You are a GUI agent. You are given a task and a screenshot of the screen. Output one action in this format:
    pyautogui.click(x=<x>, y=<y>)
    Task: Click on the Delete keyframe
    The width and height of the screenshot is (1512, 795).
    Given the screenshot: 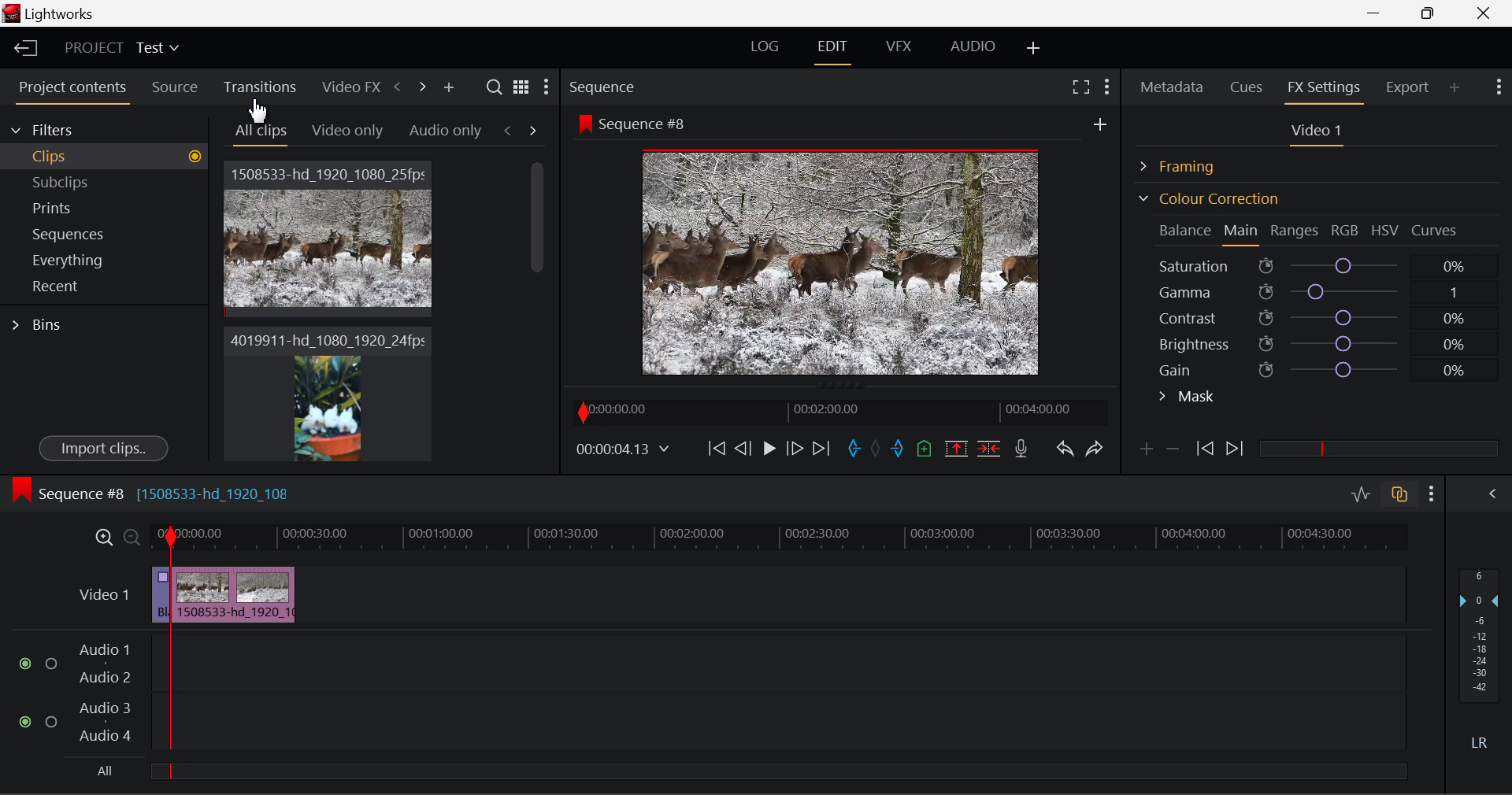 What is the action you would take?
    pyautogui.click(x=1173, y=452)
    